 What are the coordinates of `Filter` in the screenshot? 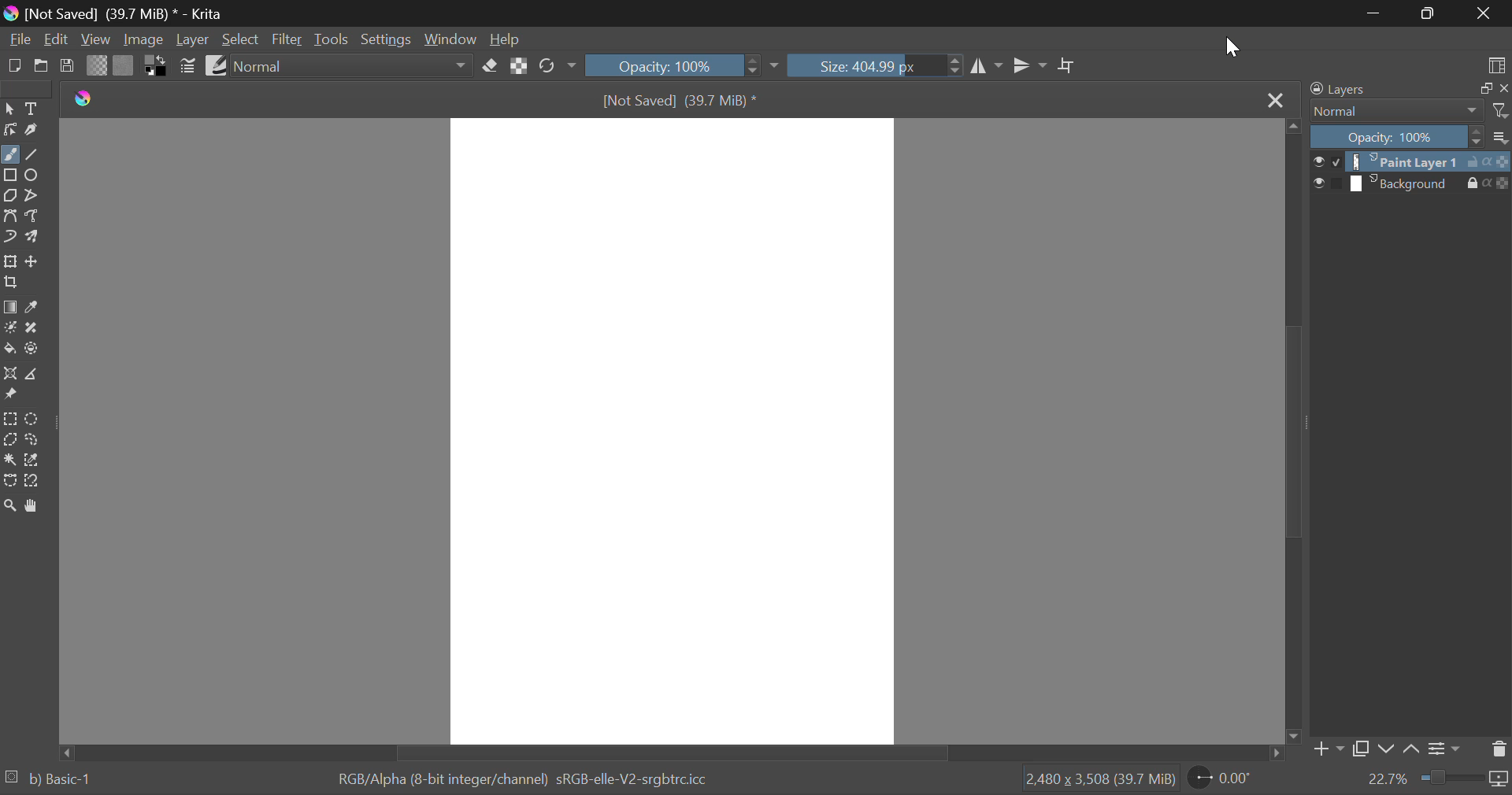 It's located at (287, 39).